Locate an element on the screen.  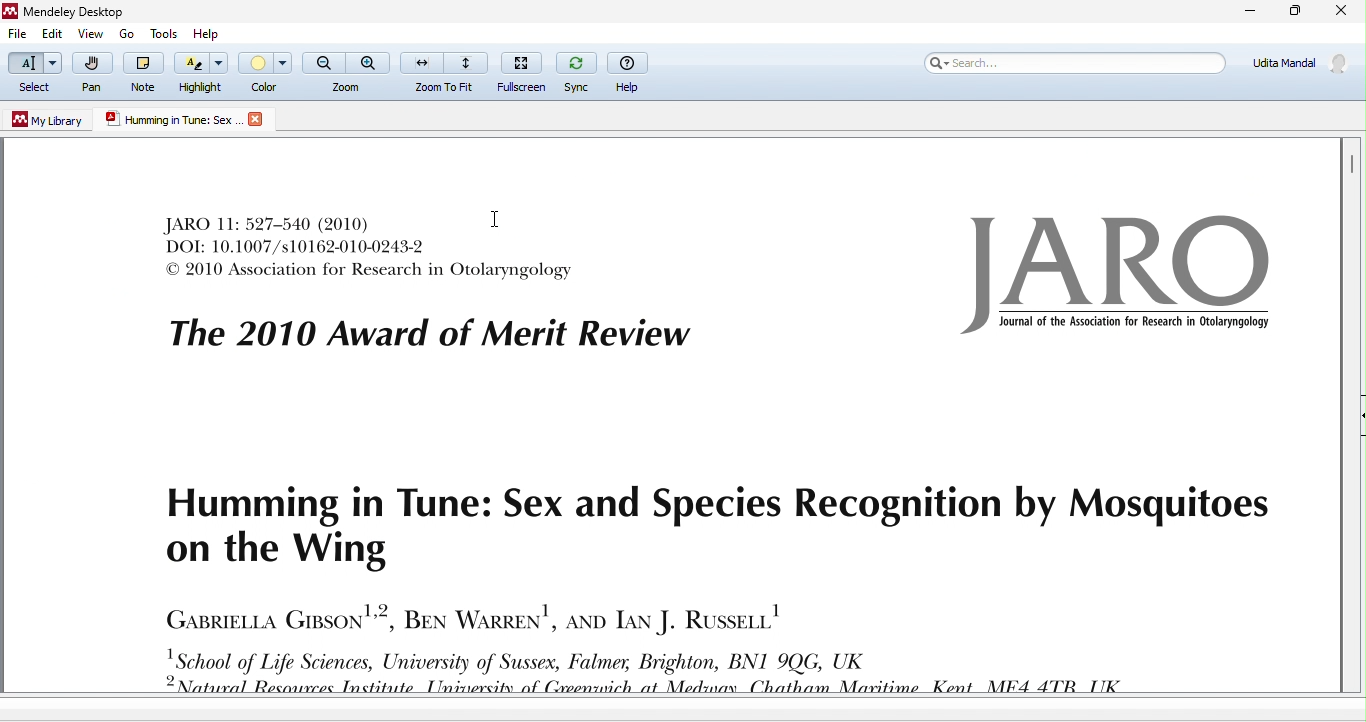
help is located at coordinates (205, 32).